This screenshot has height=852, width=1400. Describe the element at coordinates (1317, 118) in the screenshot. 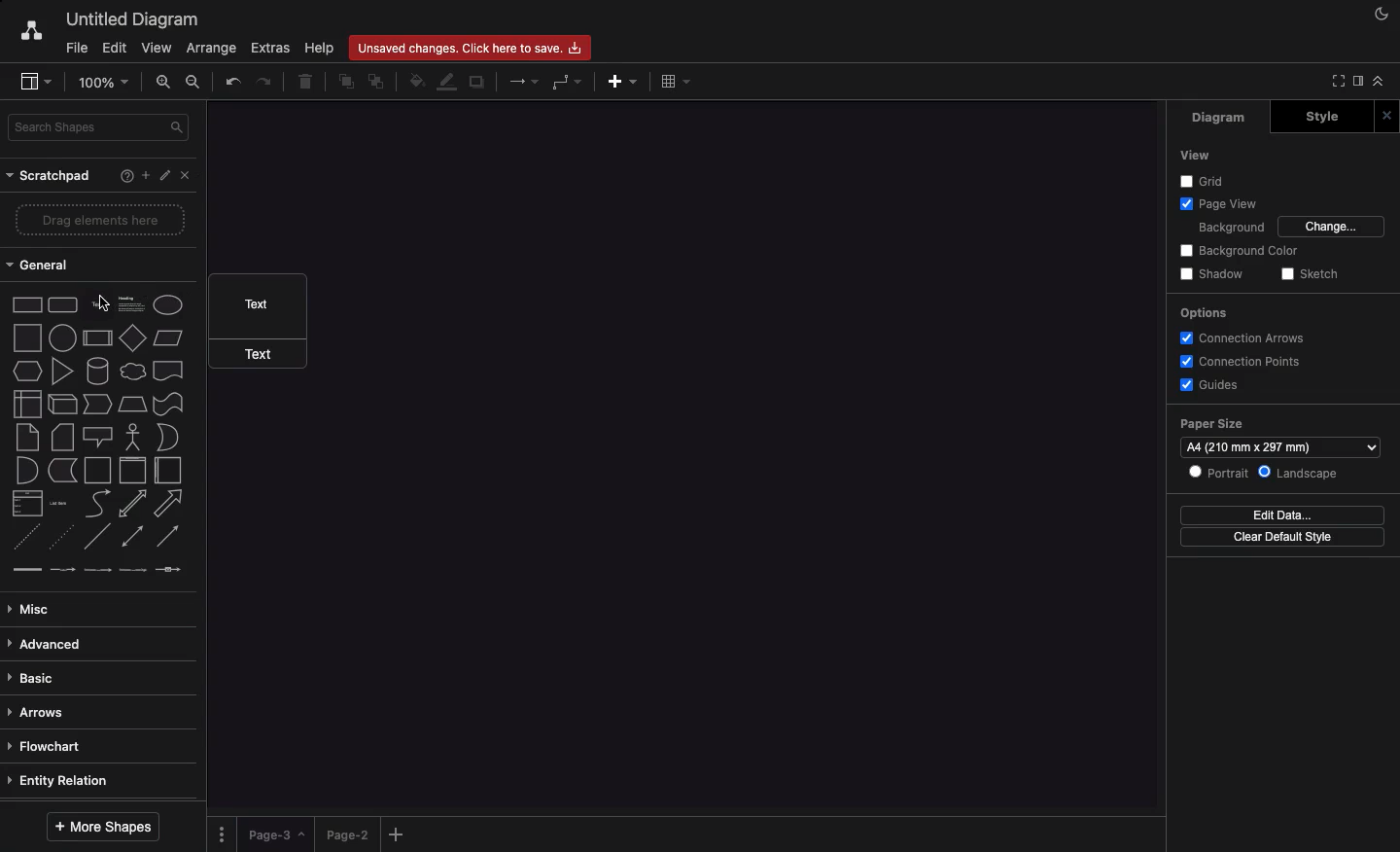

I see `Style` at that location.